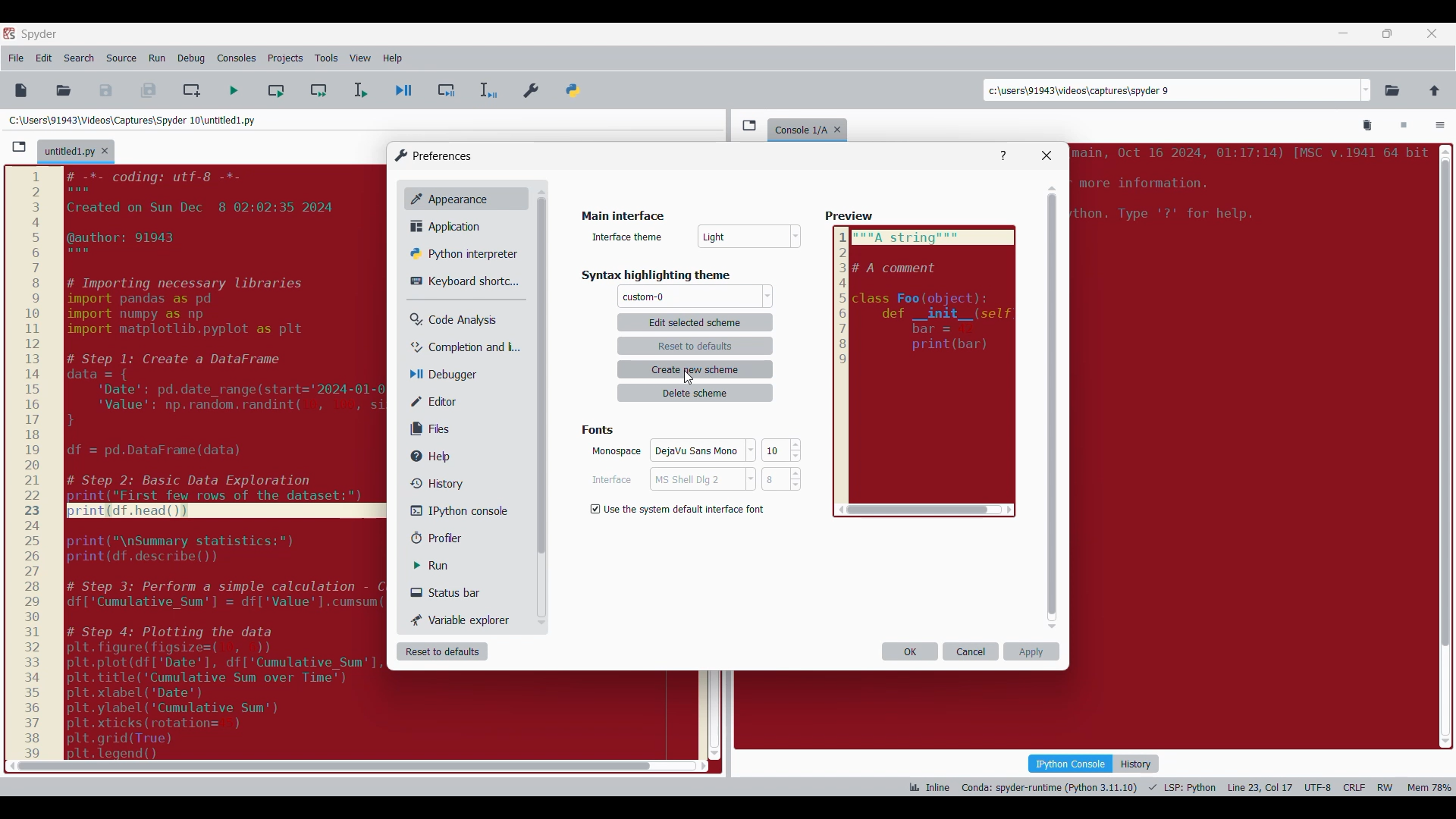  What do you see at coordinates (465, 347) in the screenshot?
I see `Completion and linting` at bounding box center [465, 347].